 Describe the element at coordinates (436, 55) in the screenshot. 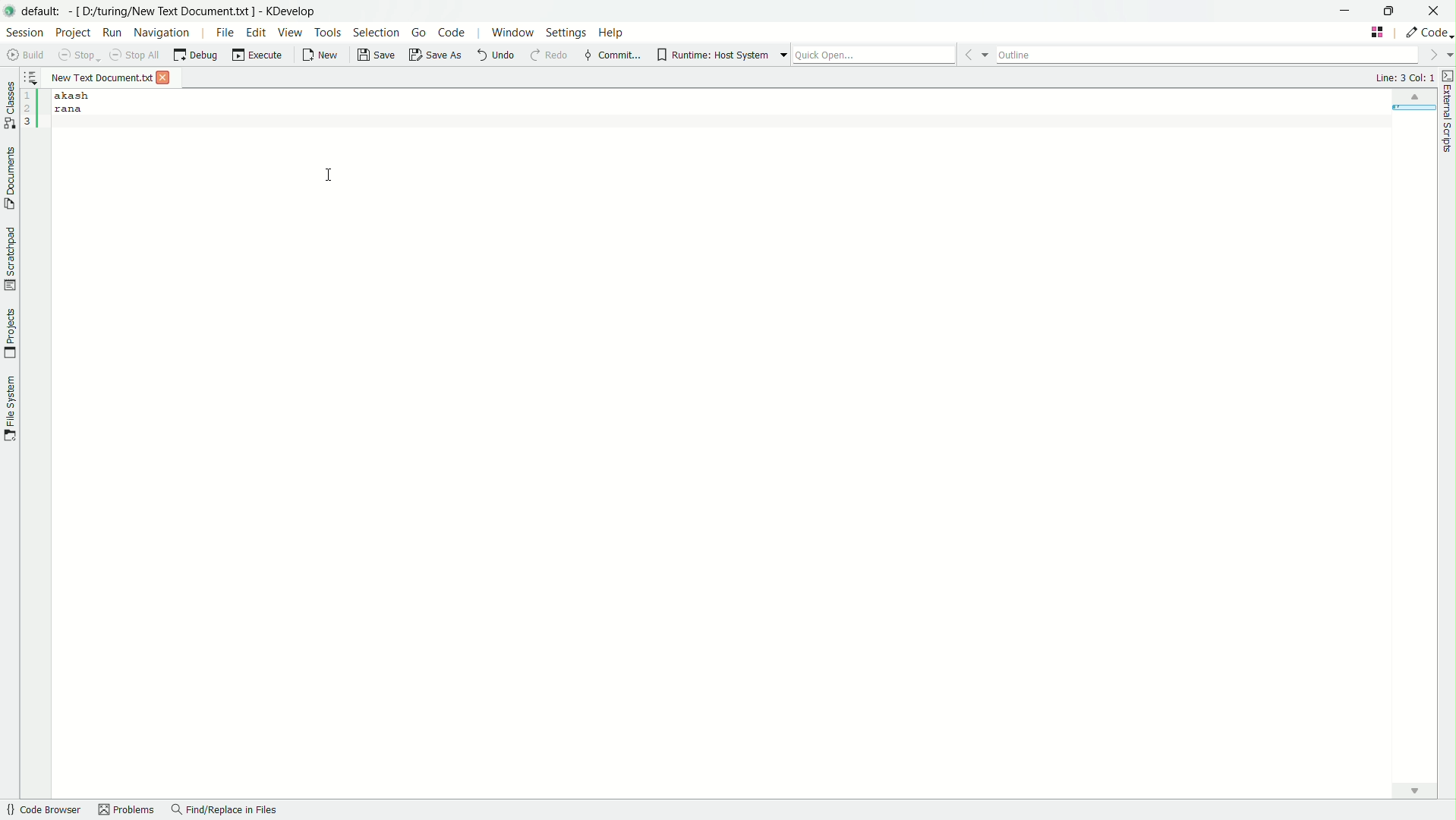

I see `save as` at that location.